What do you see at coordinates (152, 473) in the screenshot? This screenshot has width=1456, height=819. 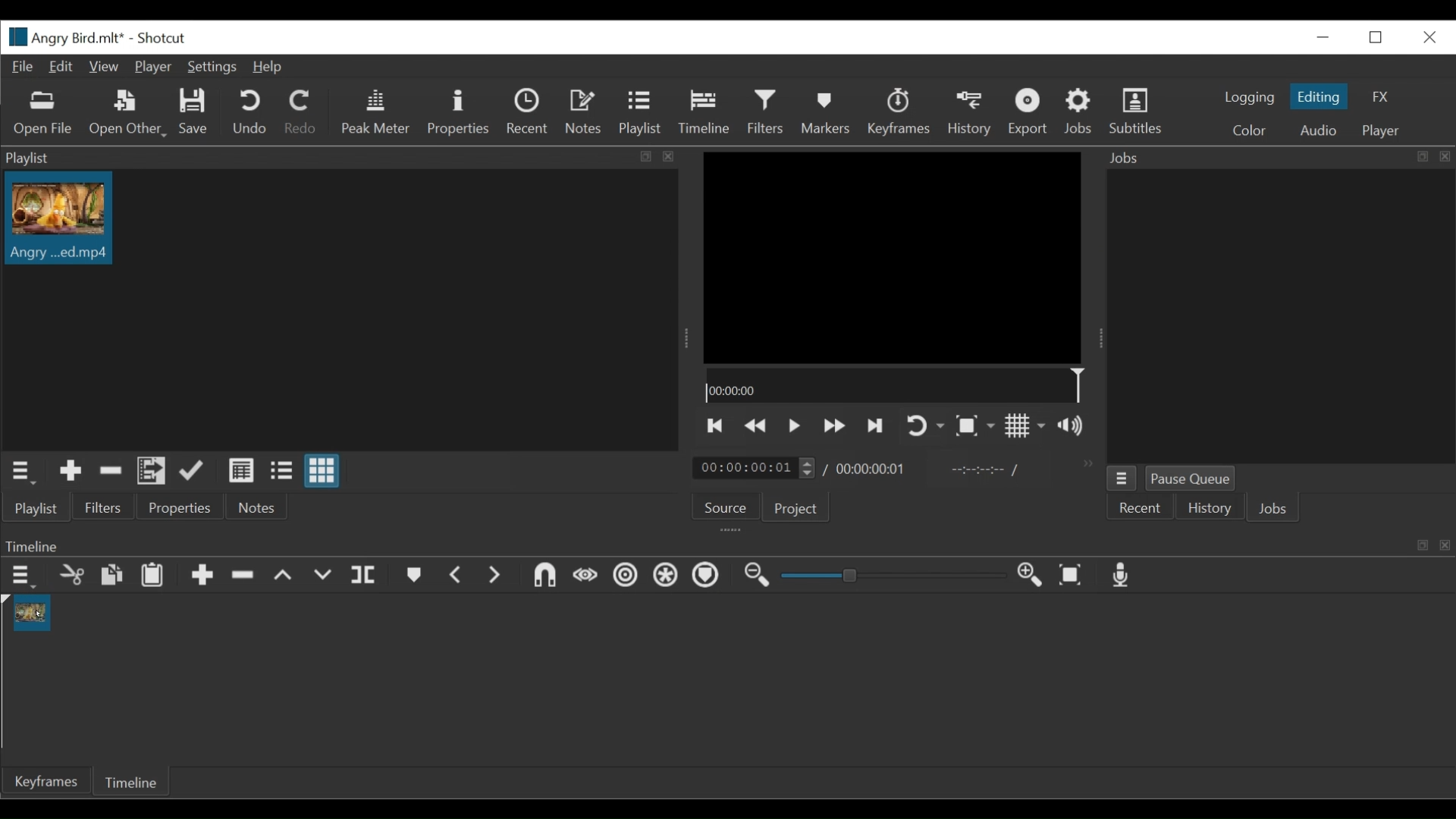 I see `Add files to the playlist` at bounding box center [152, 473].